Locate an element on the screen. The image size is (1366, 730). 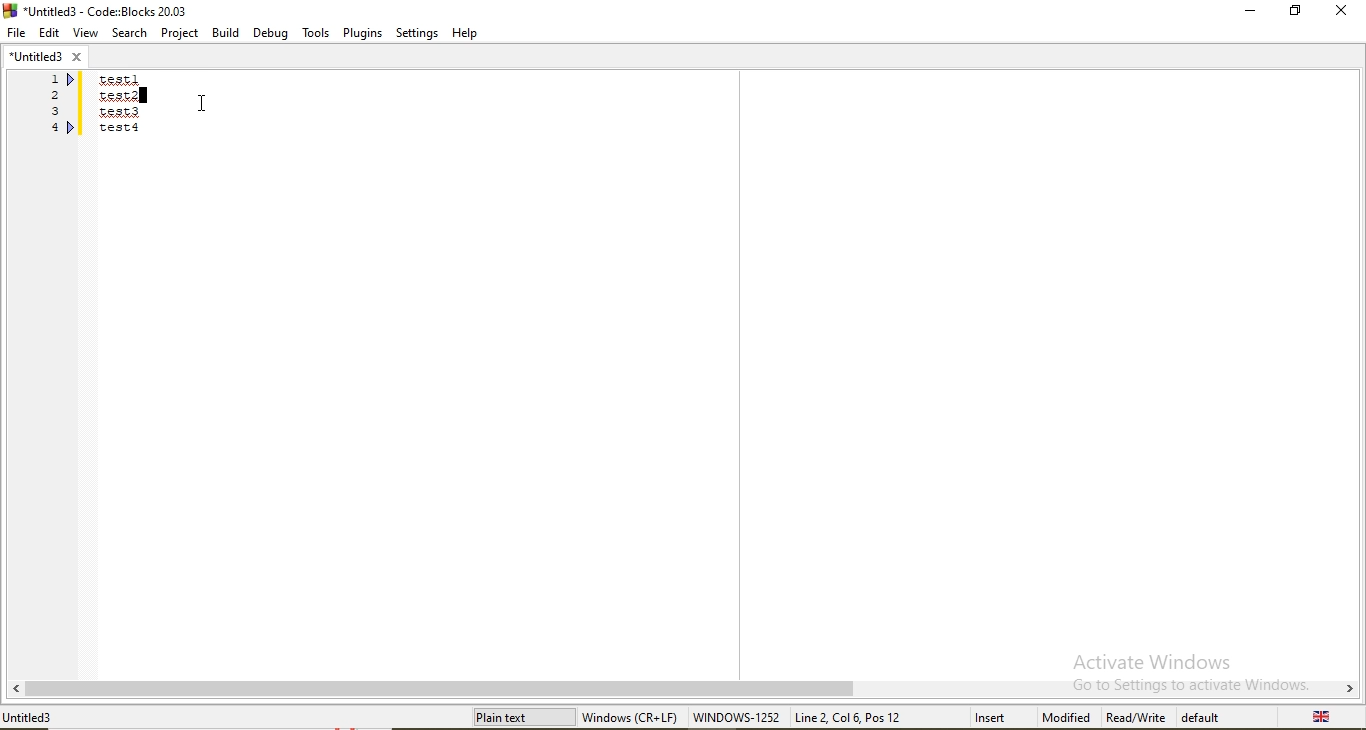
Settings  is located at coordinates (414, 34).